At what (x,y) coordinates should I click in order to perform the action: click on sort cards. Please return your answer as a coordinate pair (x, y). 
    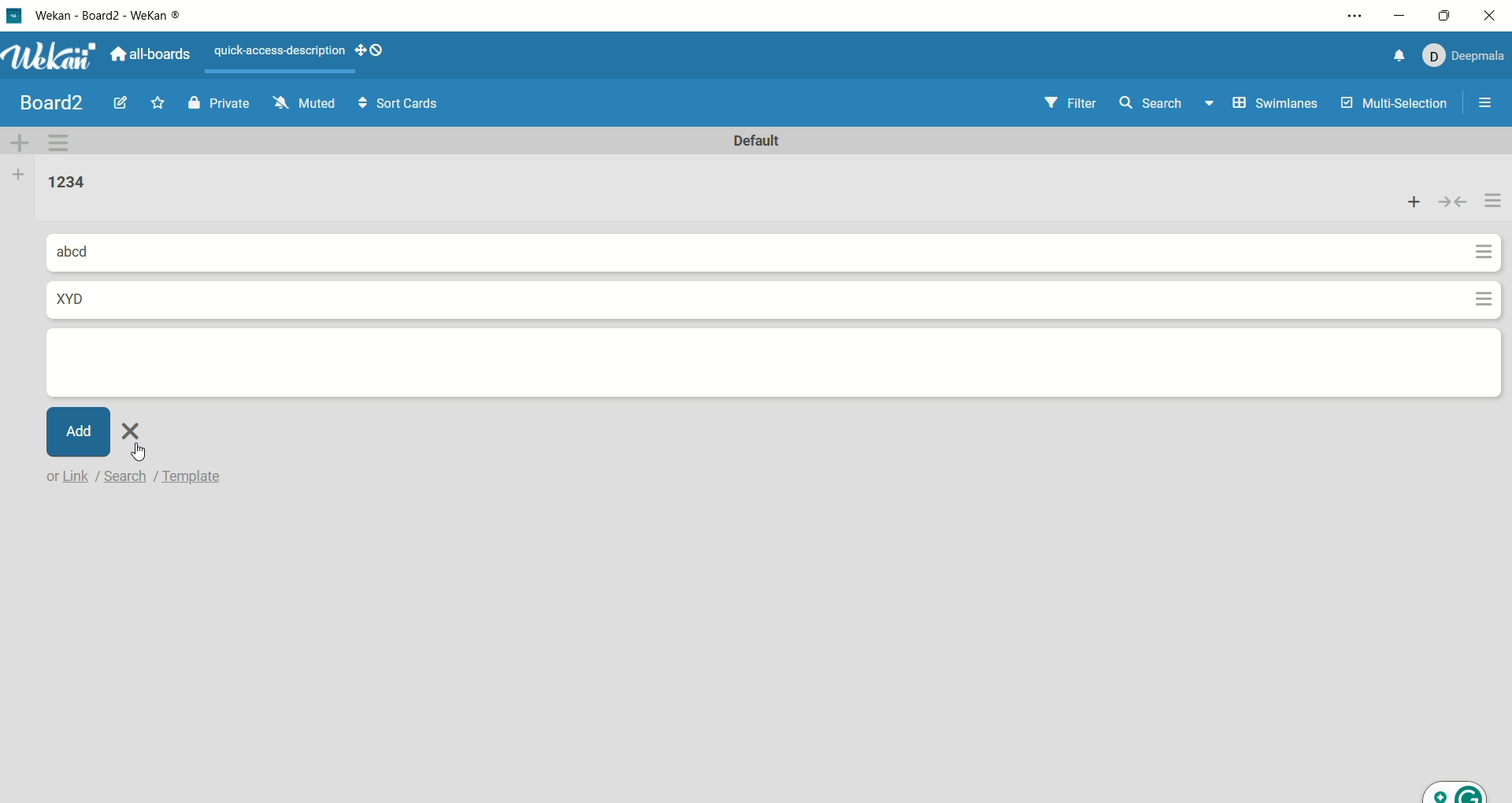
    Looking at the image, I should click on (408, 104).